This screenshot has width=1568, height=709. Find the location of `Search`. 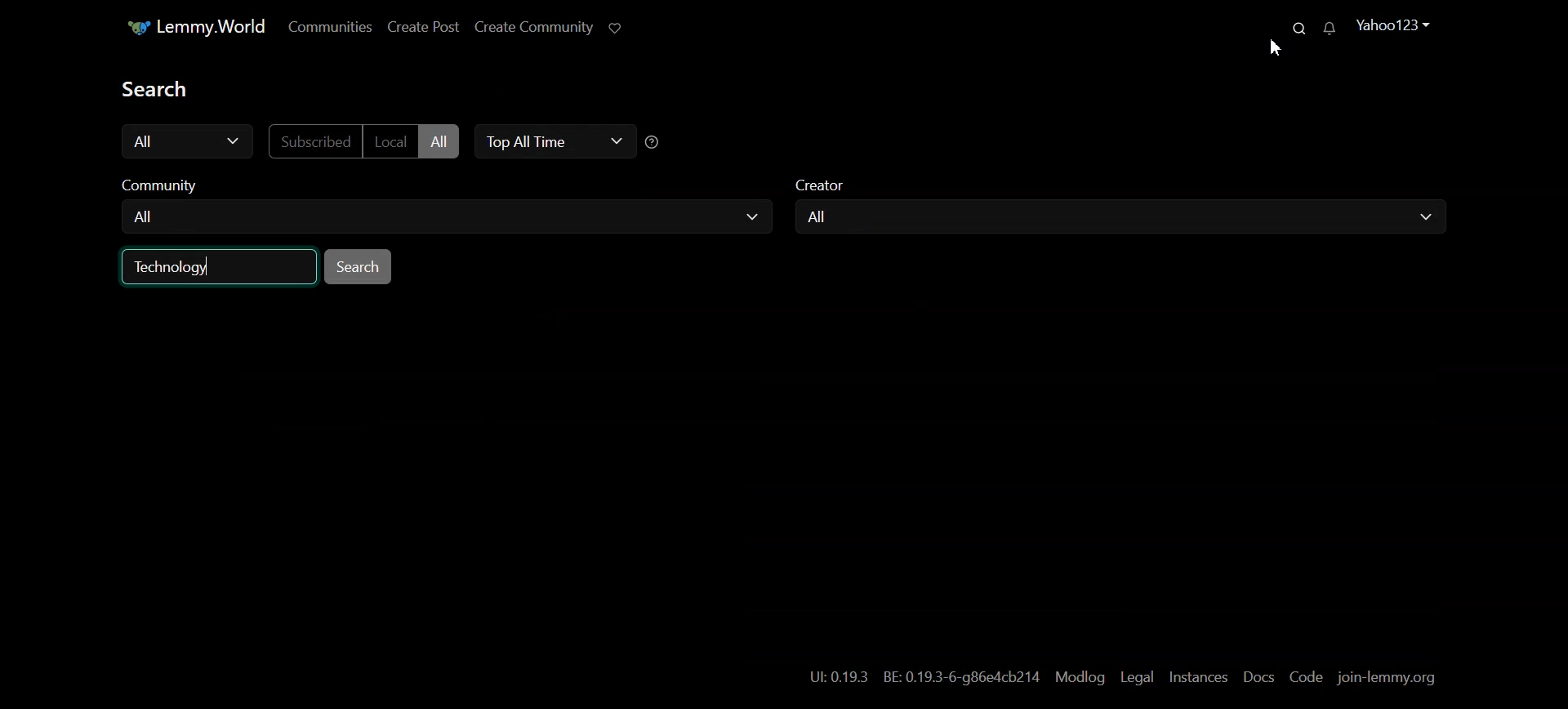

Search is located at coordinates (361, 266).